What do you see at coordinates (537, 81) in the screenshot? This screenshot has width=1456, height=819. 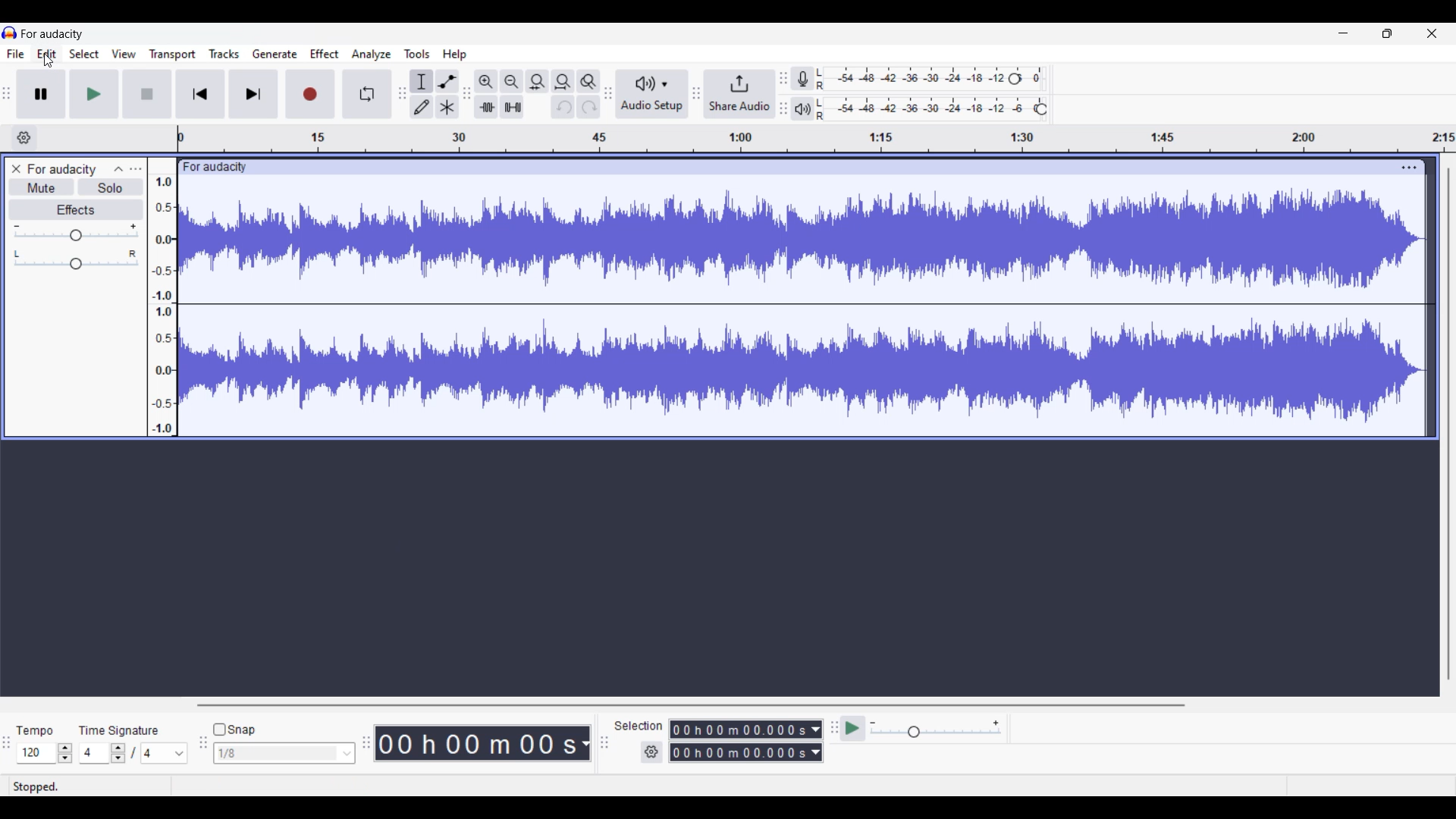 I see `Fit selection to width` at bounding box center [537, 81].